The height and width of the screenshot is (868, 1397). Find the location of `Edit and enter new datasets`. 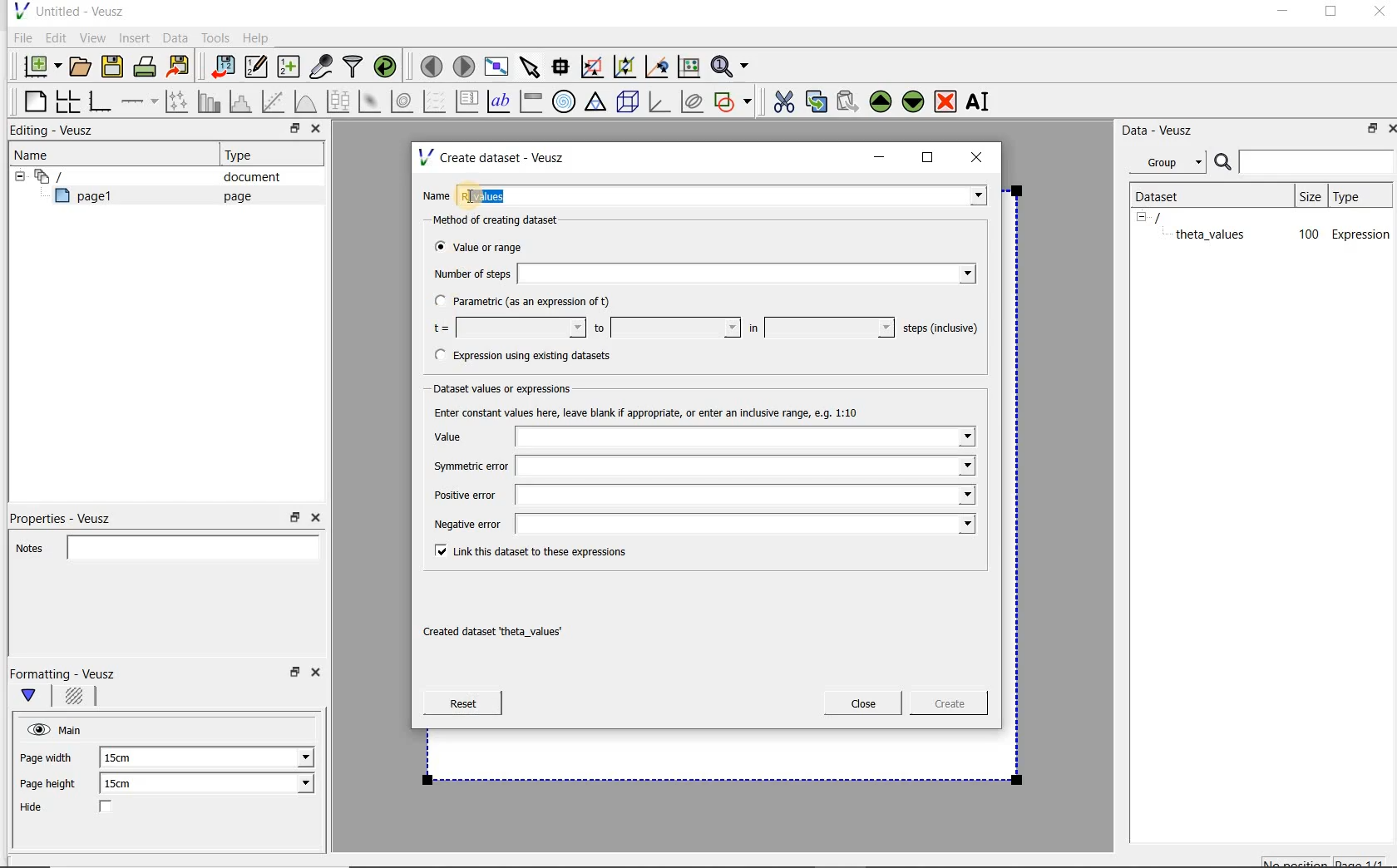

Edit and enter new datasets is located at coordinates (257, 67).